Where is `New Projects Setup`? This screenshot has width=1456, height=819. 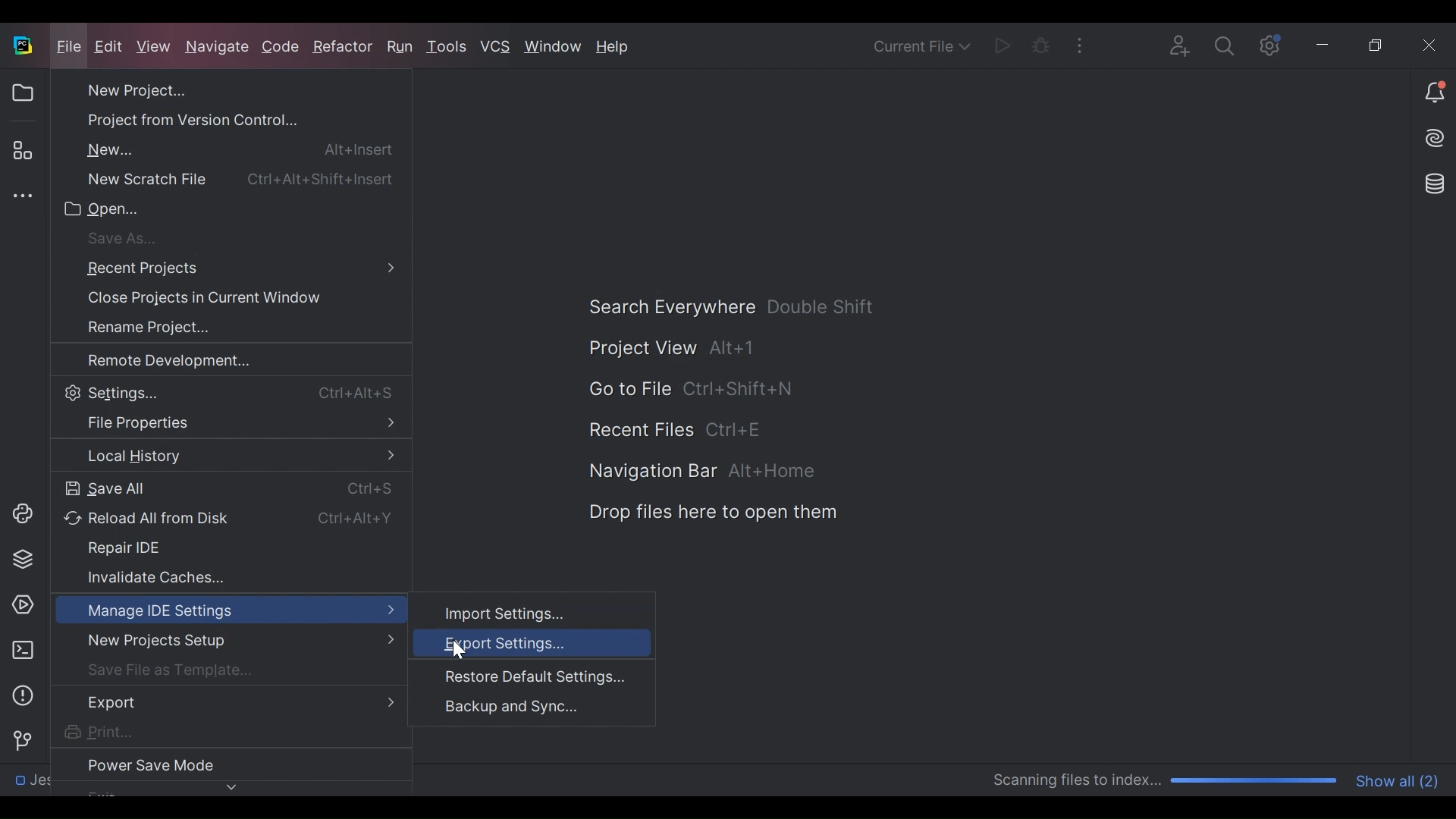
New Projects Setup is located at coordinates (224, 642).